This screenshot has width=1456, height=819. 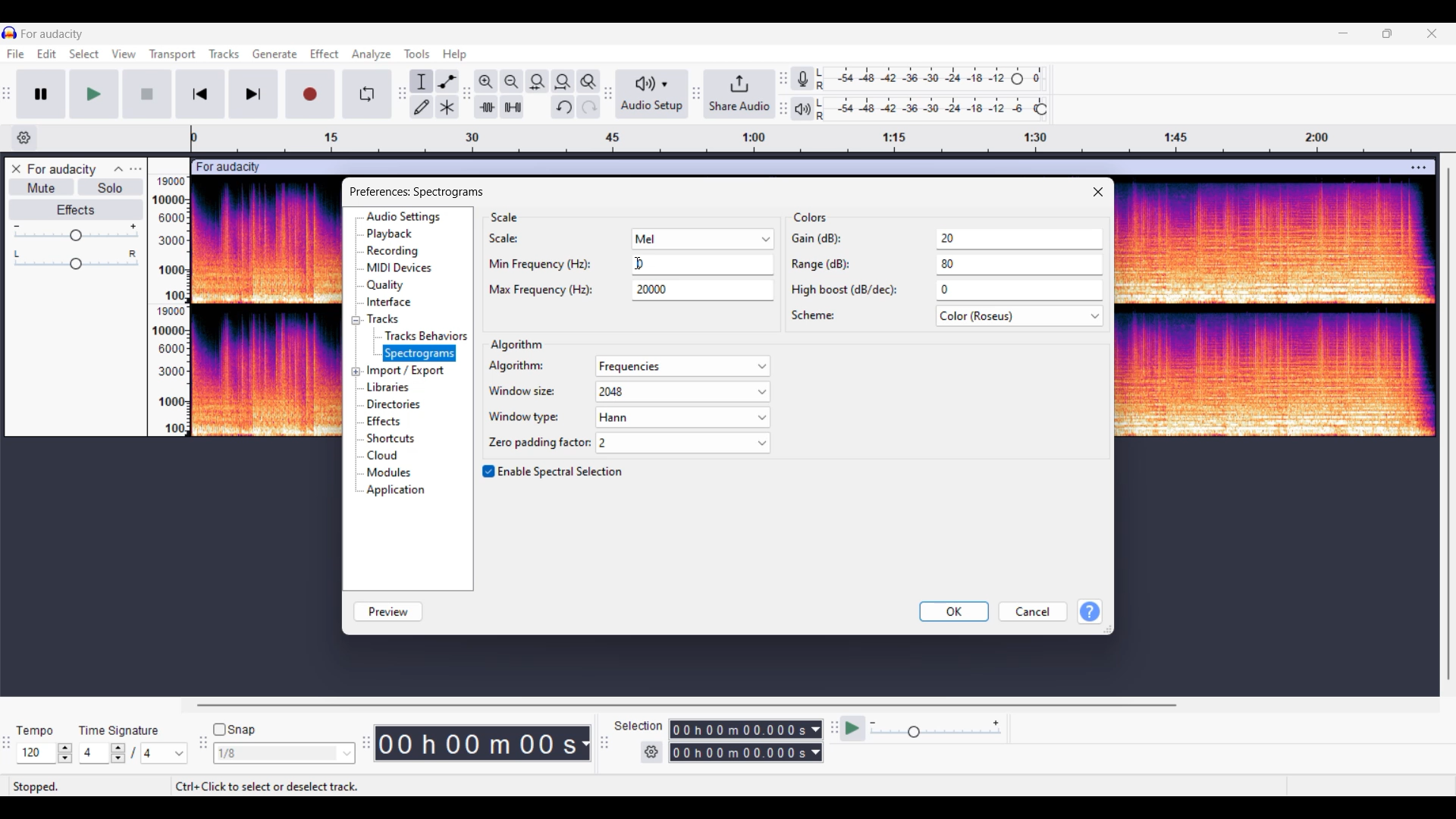 What do you see at coordinates (94, 94) in the screenshot?
I see `Play/Play once` at bounding box center [94, 94].